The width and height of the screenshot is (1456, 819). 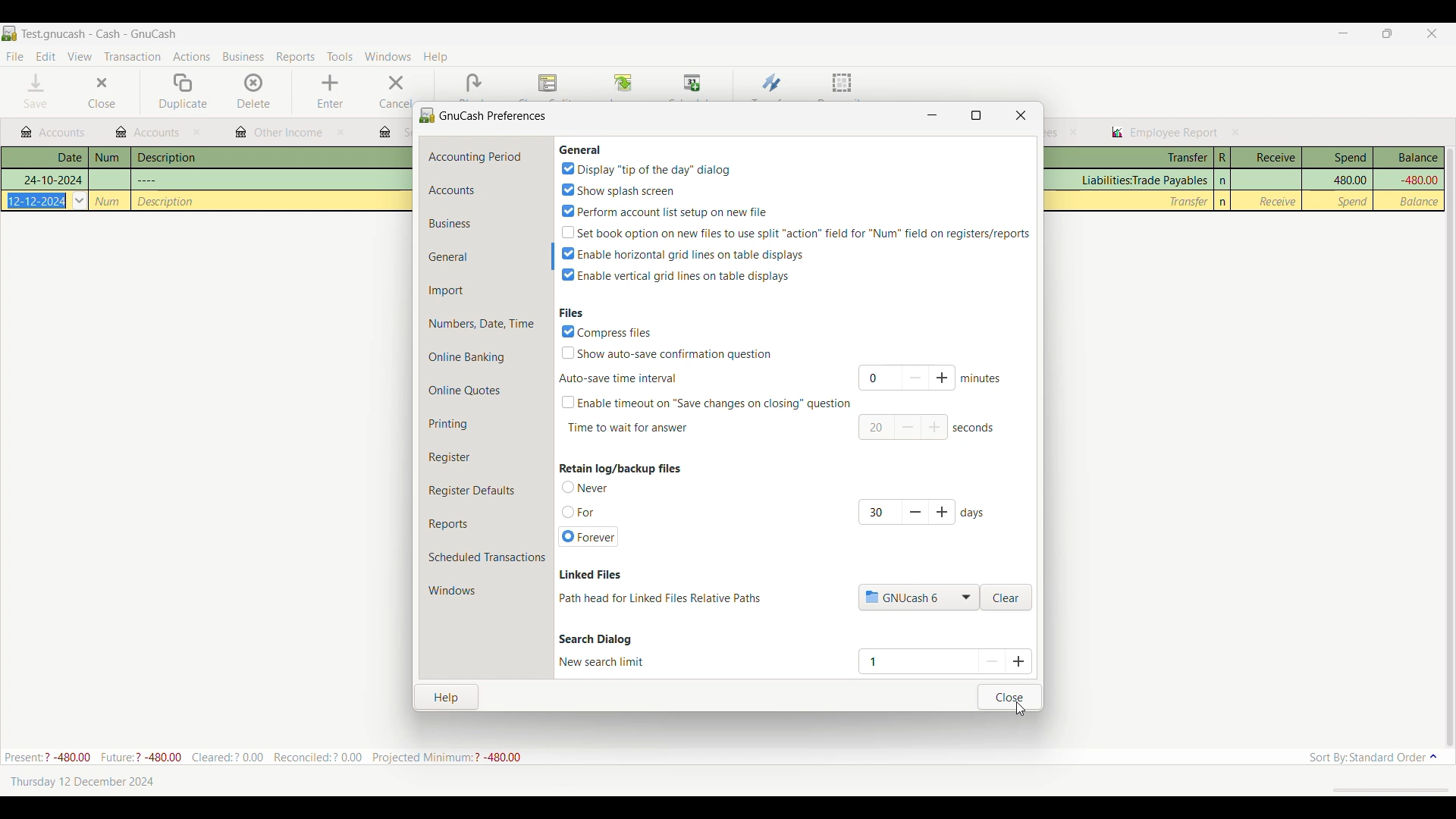 What do you see at coordinates (1128, 158) in the screenshot?
I see `Transfer column` at bounding box center [1128, 158].